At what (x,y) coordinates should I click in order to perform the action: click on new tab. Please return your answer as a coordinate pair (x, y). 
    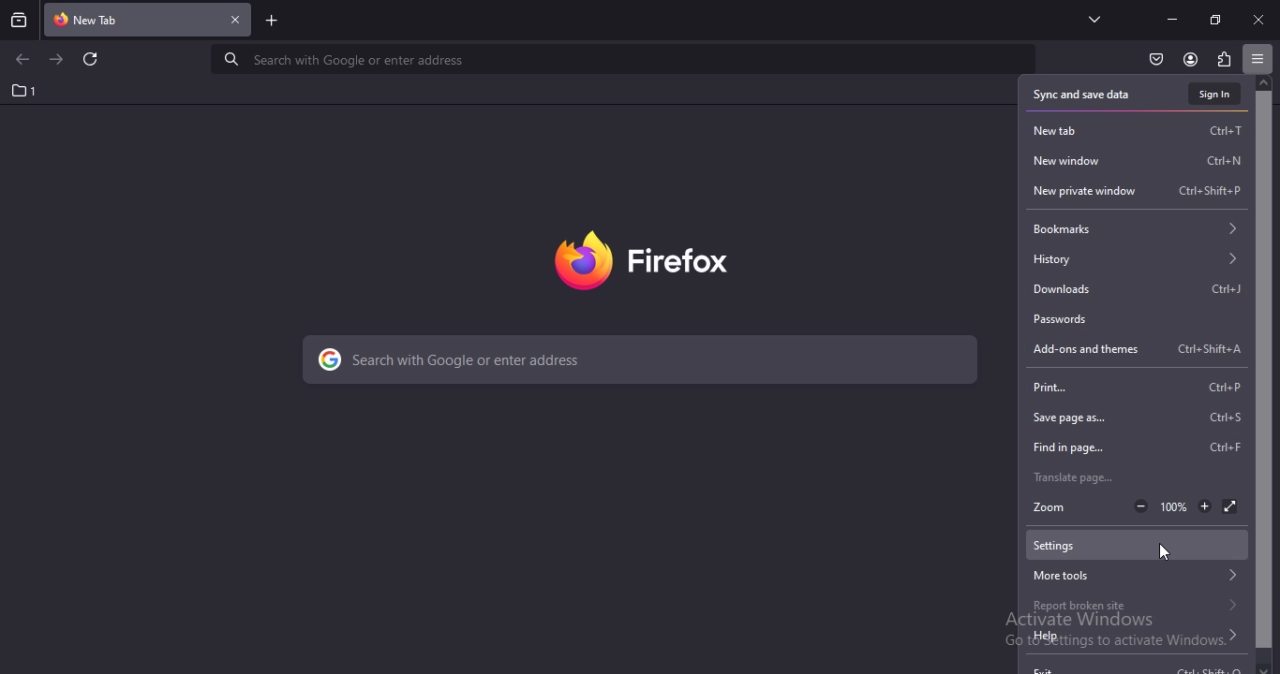
    Looking at the image, I should click on (106, 17).